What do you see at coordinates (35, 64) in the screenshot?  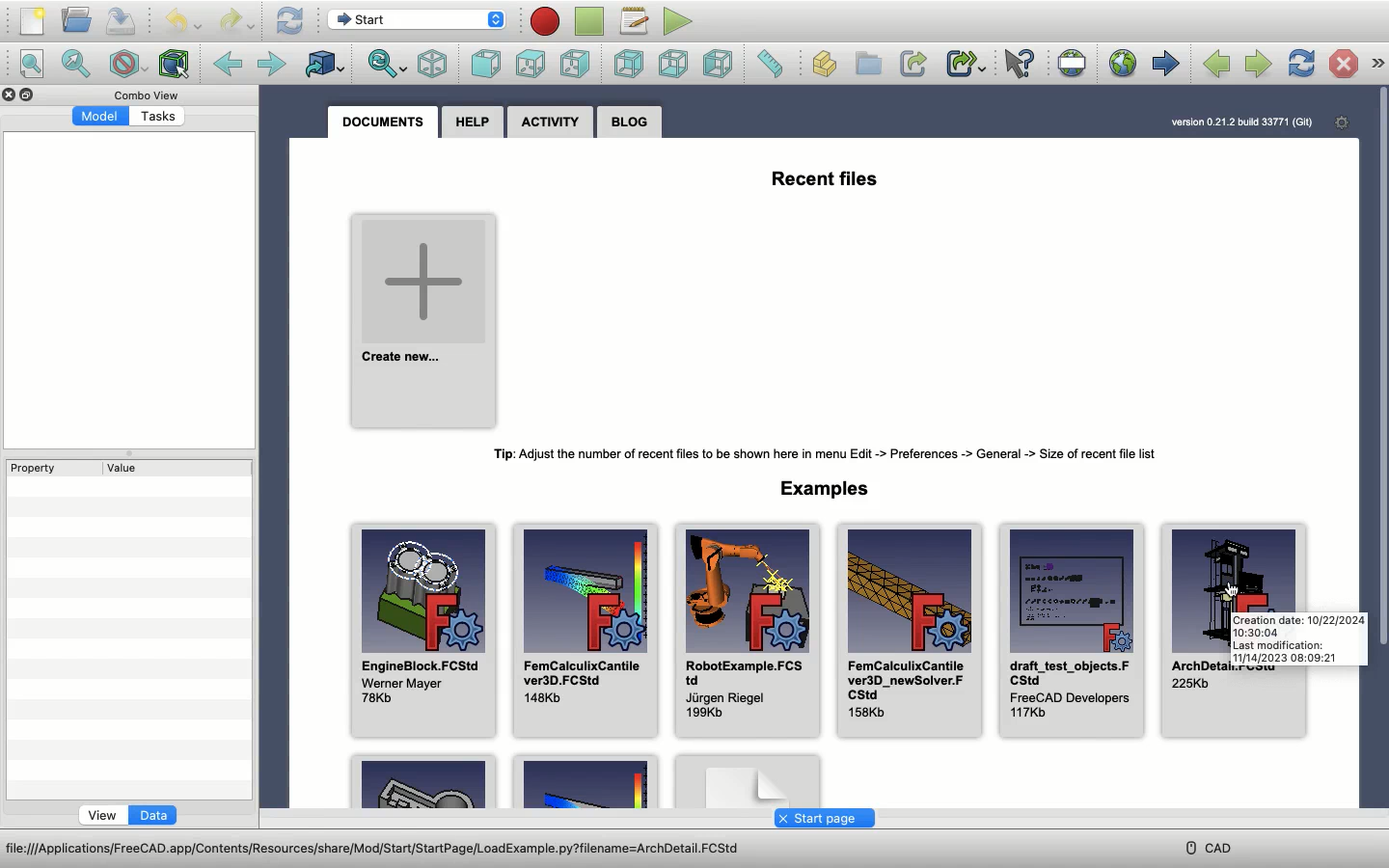 I see `Fit all` at bounding box center [35, 64].